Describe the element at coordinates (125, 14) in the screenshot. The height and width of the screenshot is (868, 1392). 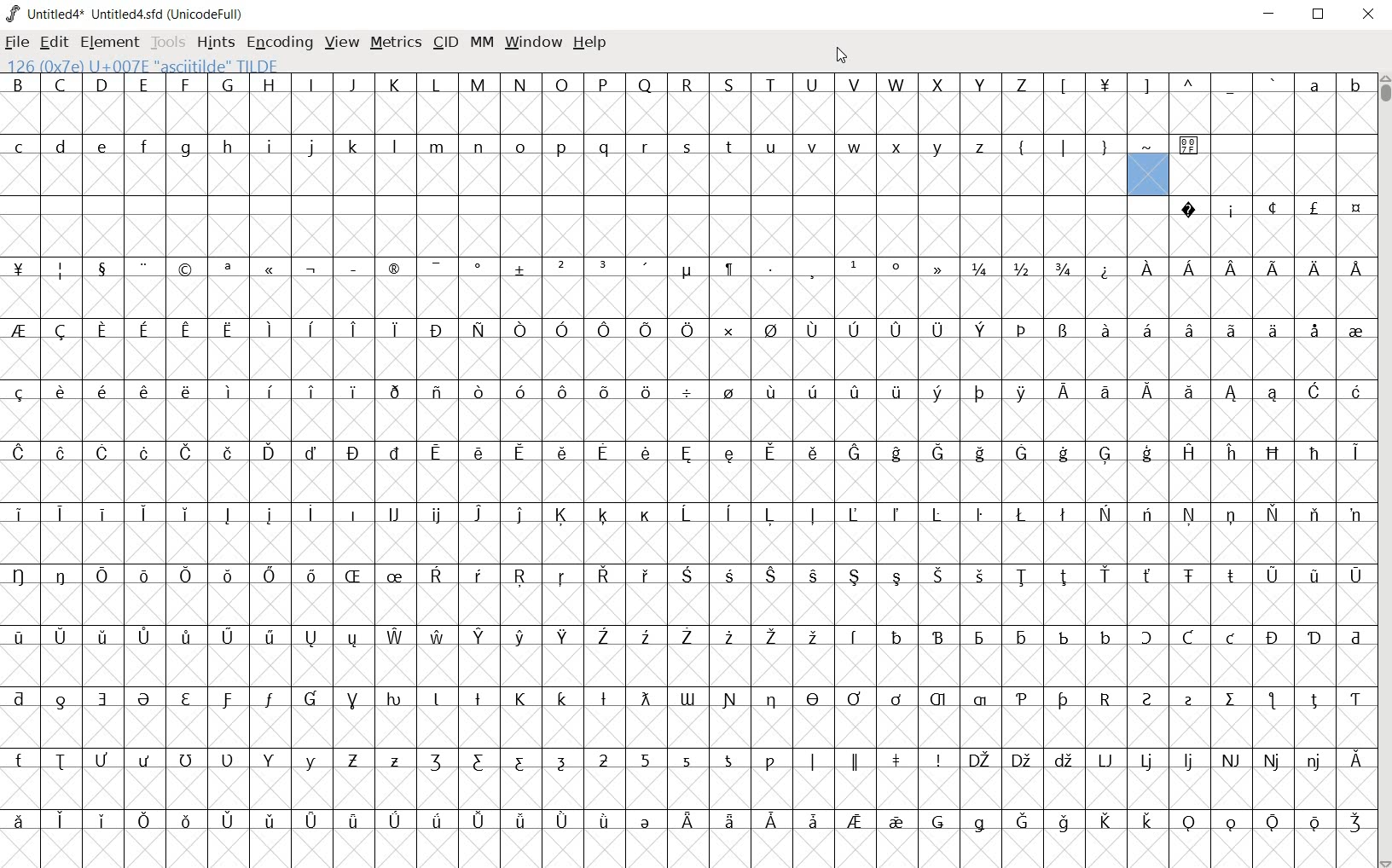
I see `Untitled4* Untitled4.sfd (UnicodeFull)` at that location.